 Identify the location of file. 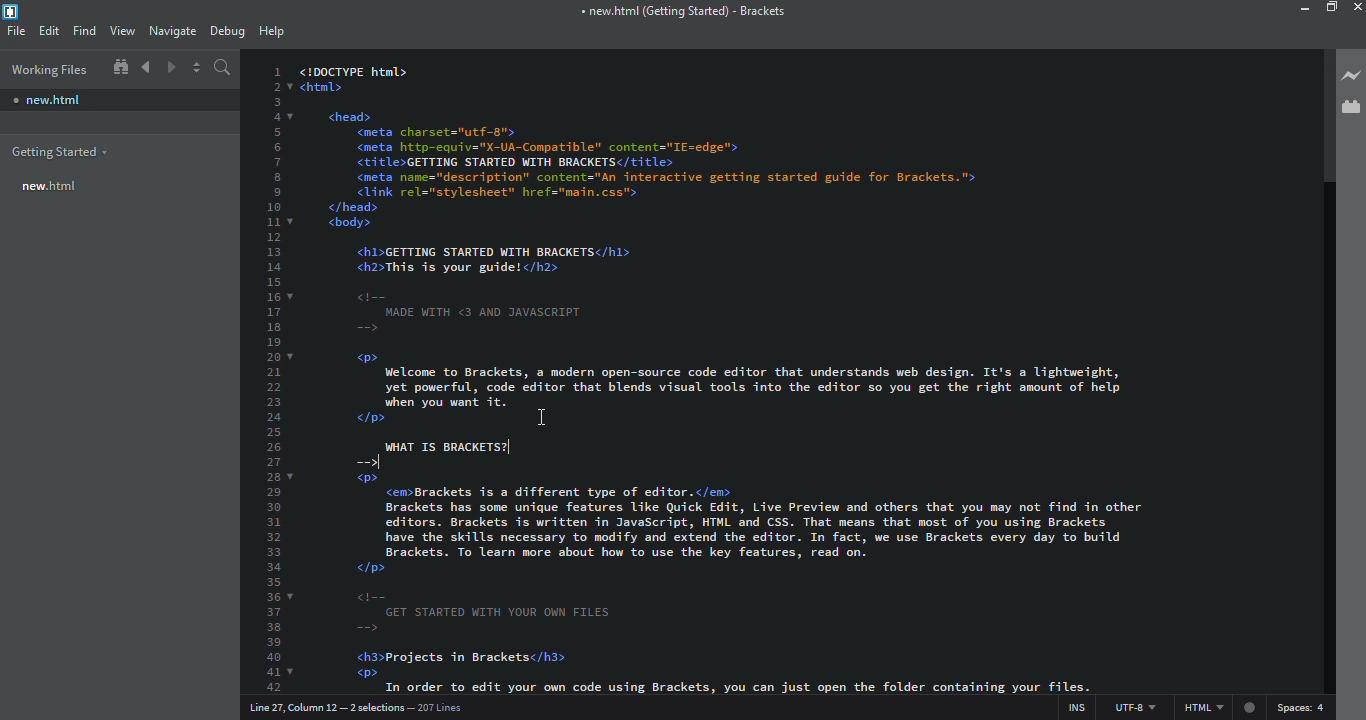
(17, 31).